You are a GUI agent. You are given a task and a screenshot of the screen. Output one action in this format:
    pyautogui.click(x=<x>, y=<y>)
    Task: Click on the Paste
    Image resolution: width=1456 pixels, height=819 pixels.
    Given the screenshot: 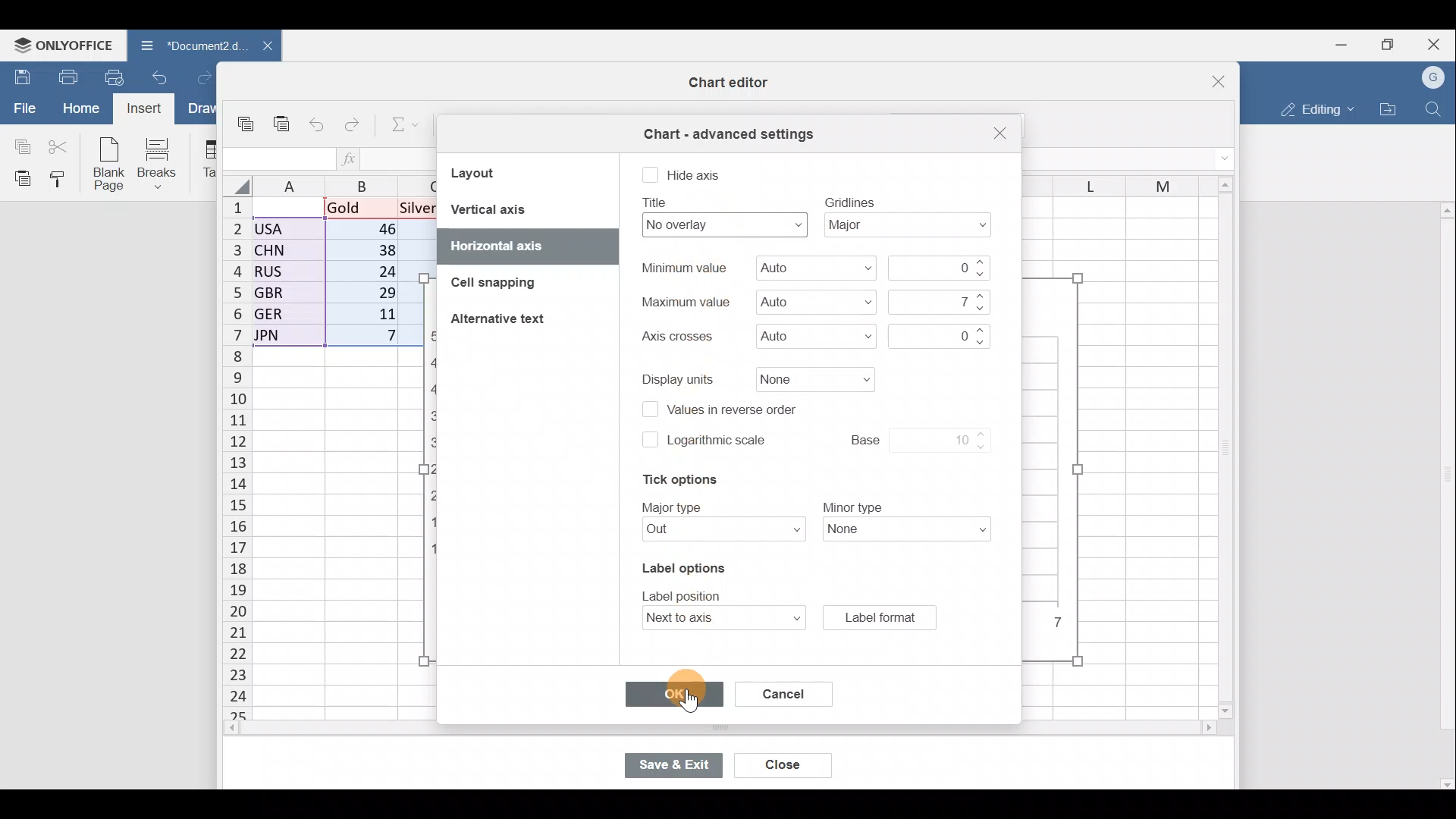 What is the action you would take?
    pyautogui.click(x=19, y=178)
    